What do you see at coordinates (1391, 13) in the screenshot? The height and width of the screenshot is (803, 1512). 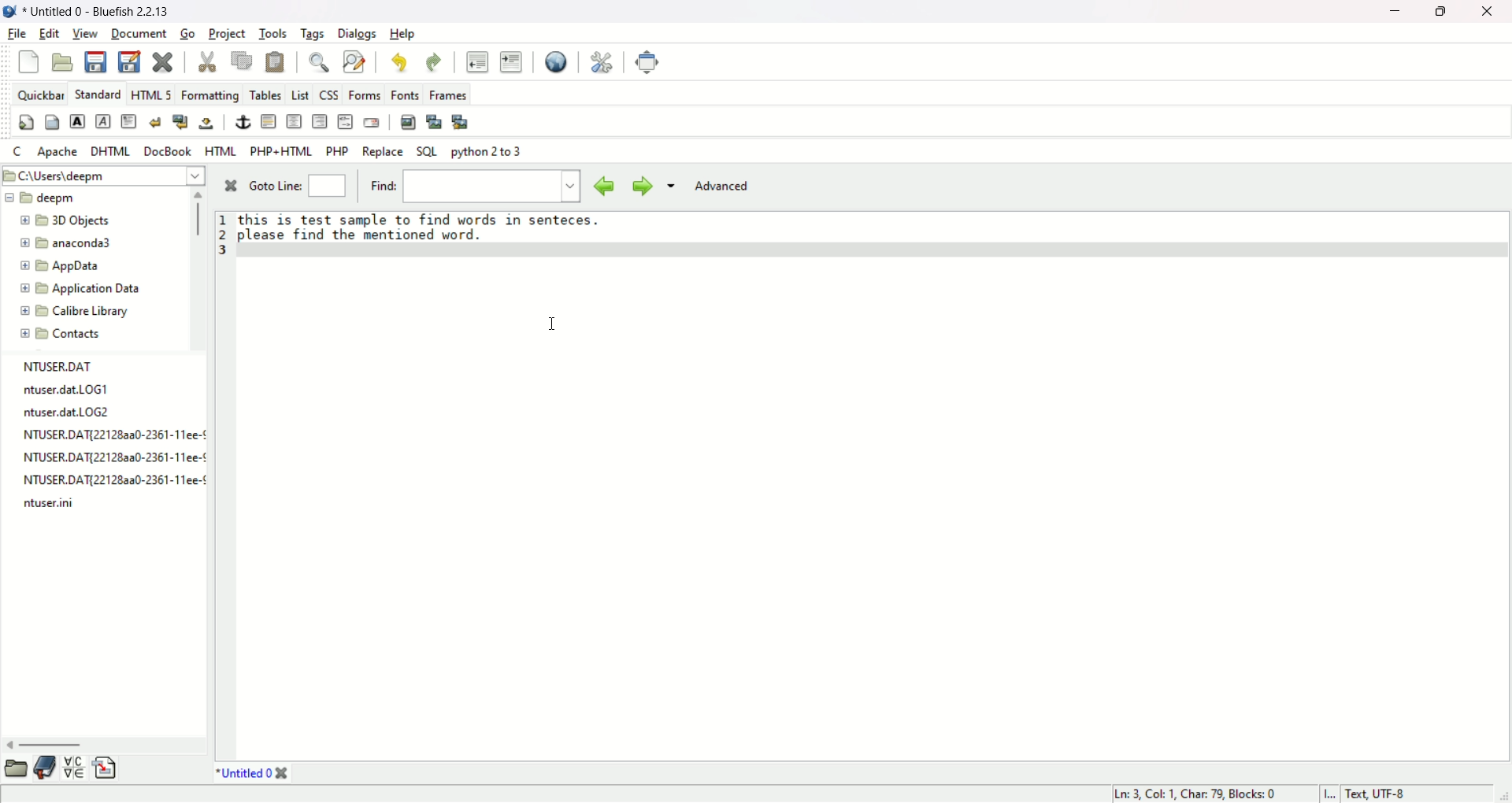 I see `minimize` at bounding box center [1391, 13].